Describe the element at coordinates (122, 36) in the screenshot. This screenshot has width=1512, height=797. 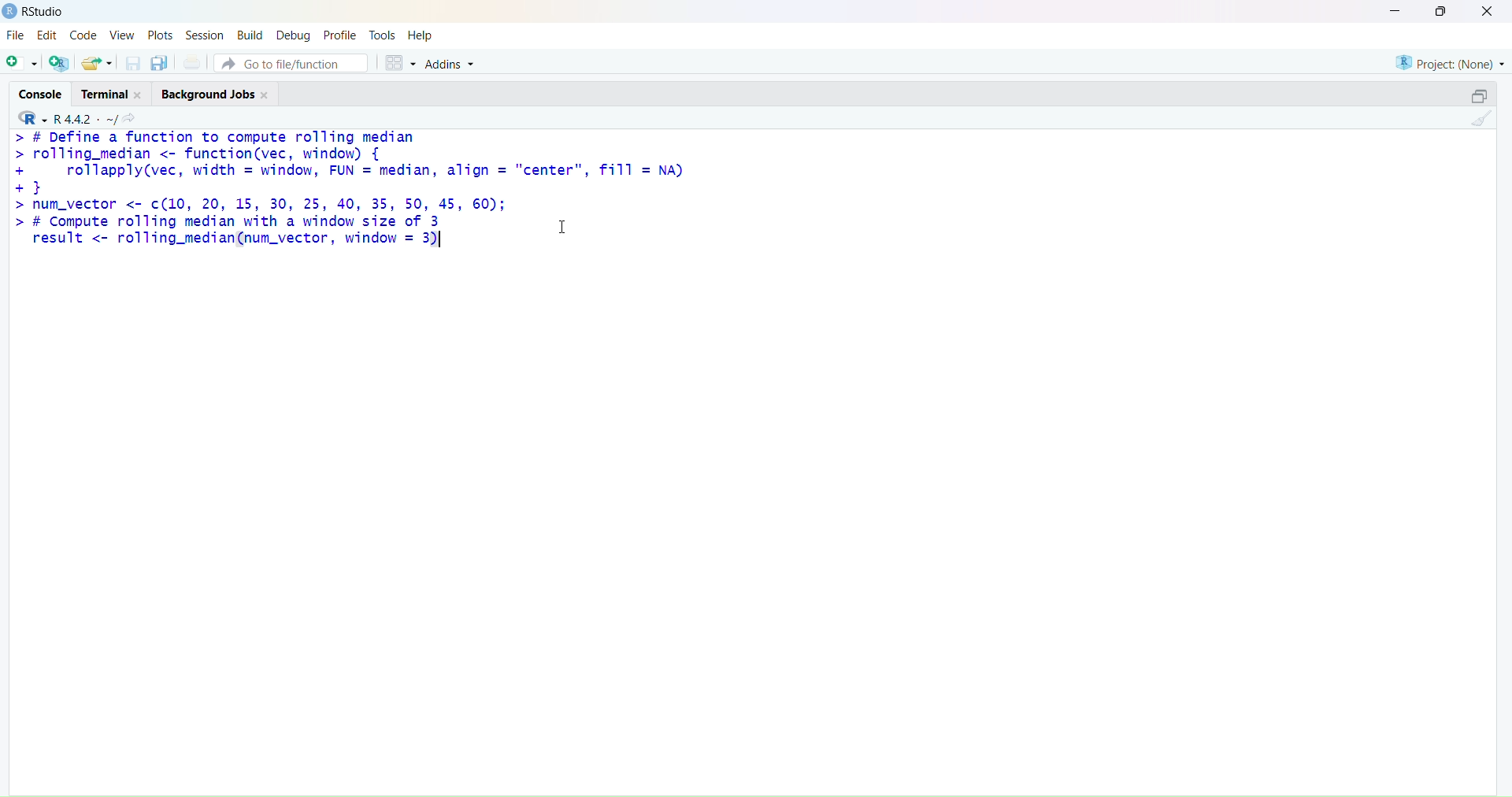
I see `view` at that location.